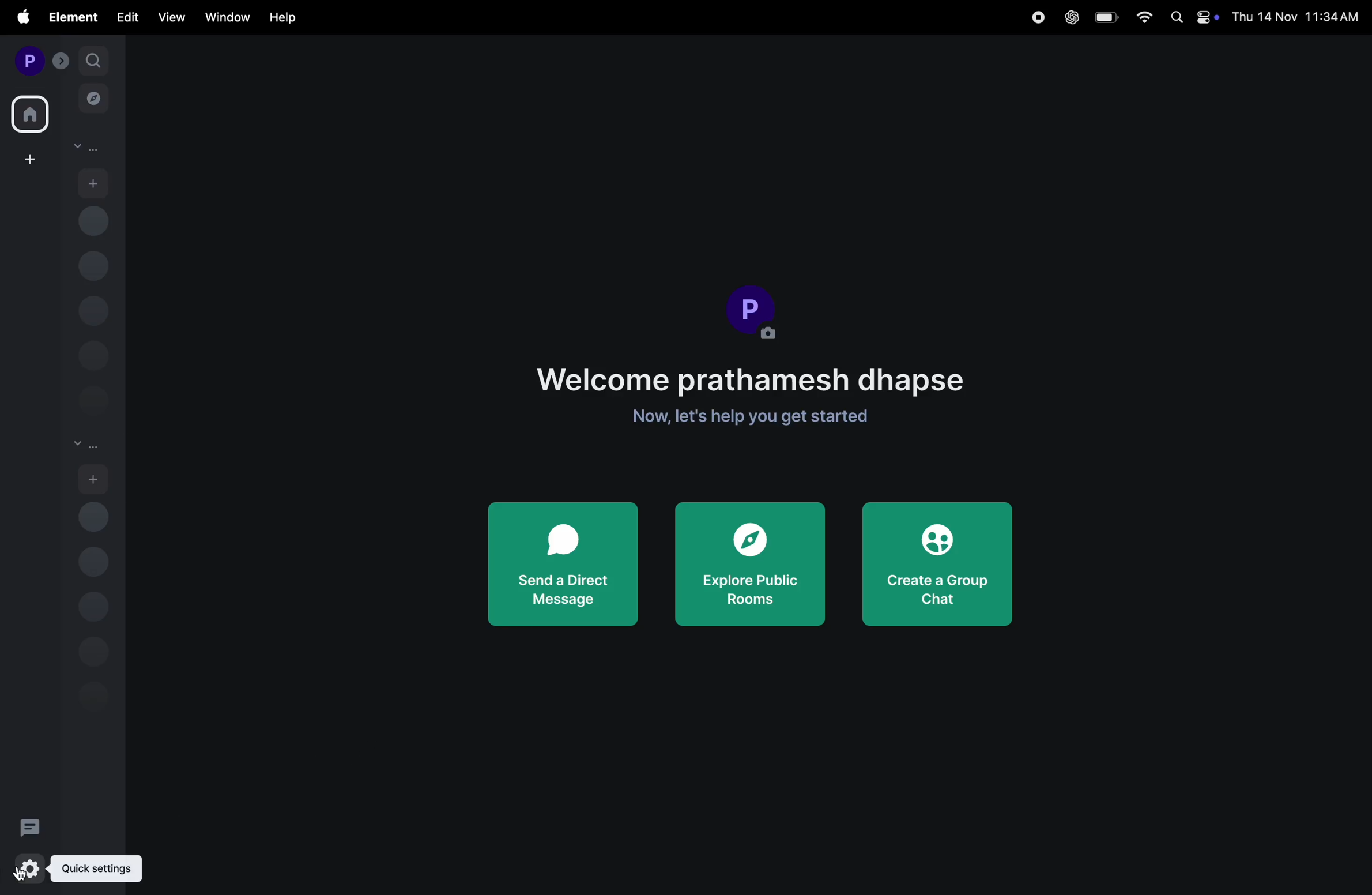 This screenshot has width=1372, height=895. What do you see at coordinates (28, 159) in the screenshot?
I see `create space` at bounding box center [28, 159].